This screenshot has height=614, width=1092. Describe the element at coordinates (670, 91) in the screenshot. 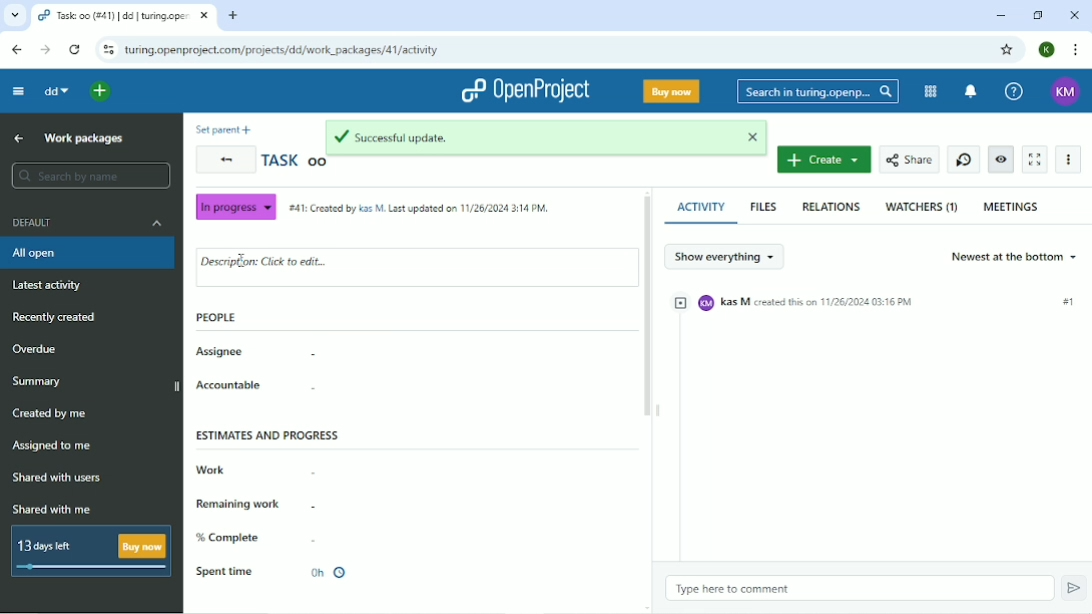

I see `Buy now` at that location.